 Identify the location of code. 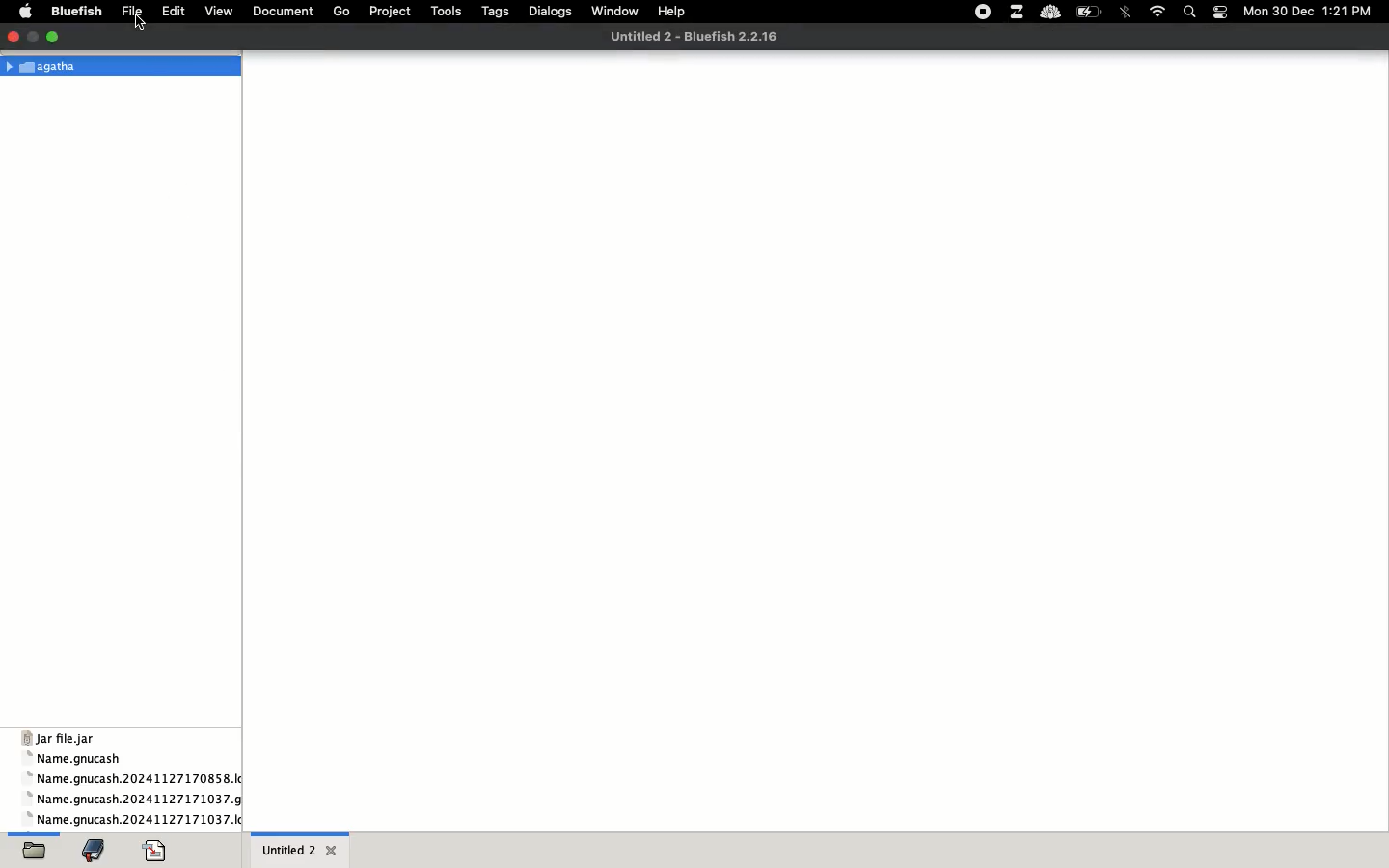
(155, 851).